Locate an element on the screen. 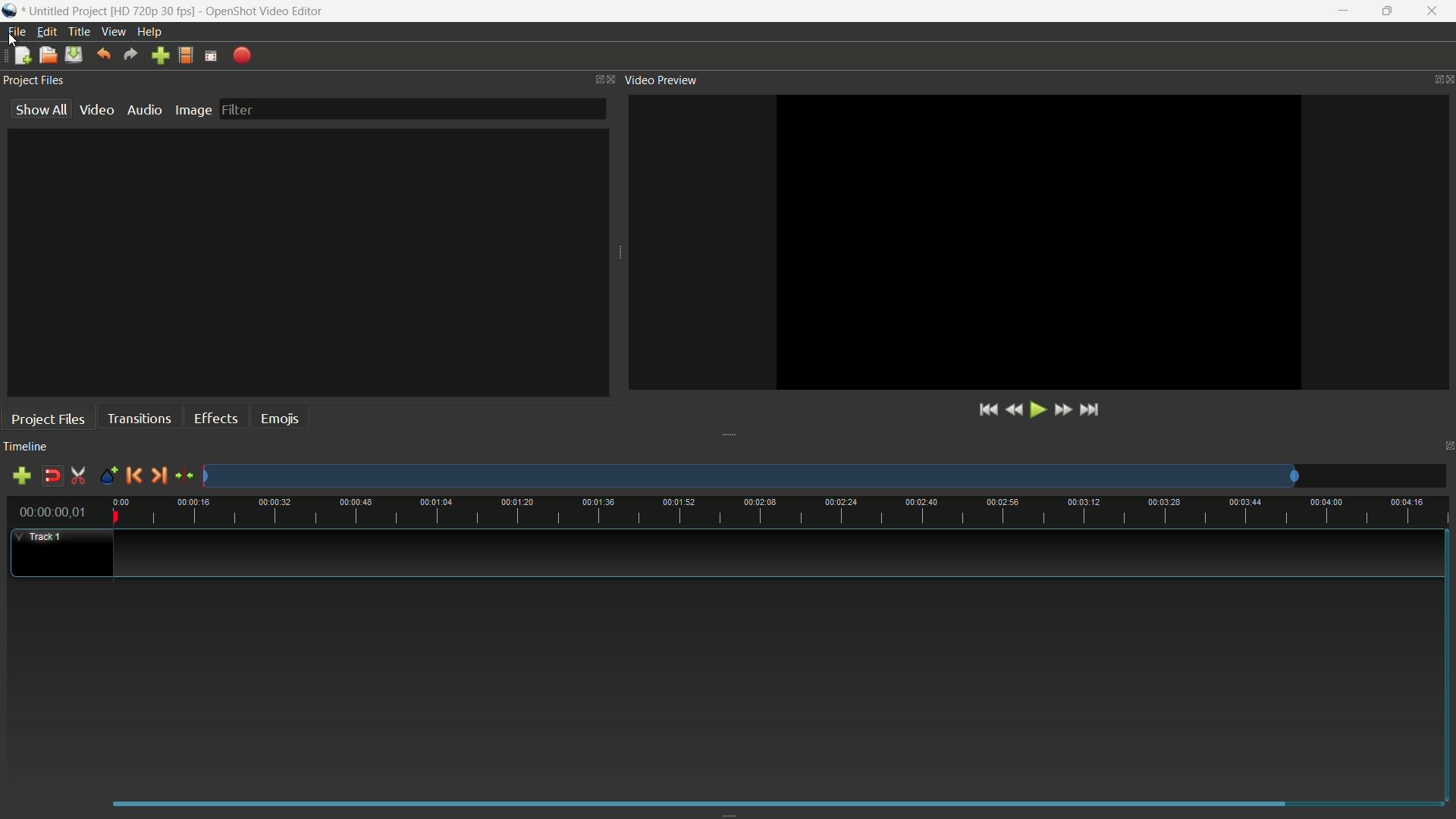 This screenshot has width=1456, height=819. title menu is located at coordinates (78, 33).